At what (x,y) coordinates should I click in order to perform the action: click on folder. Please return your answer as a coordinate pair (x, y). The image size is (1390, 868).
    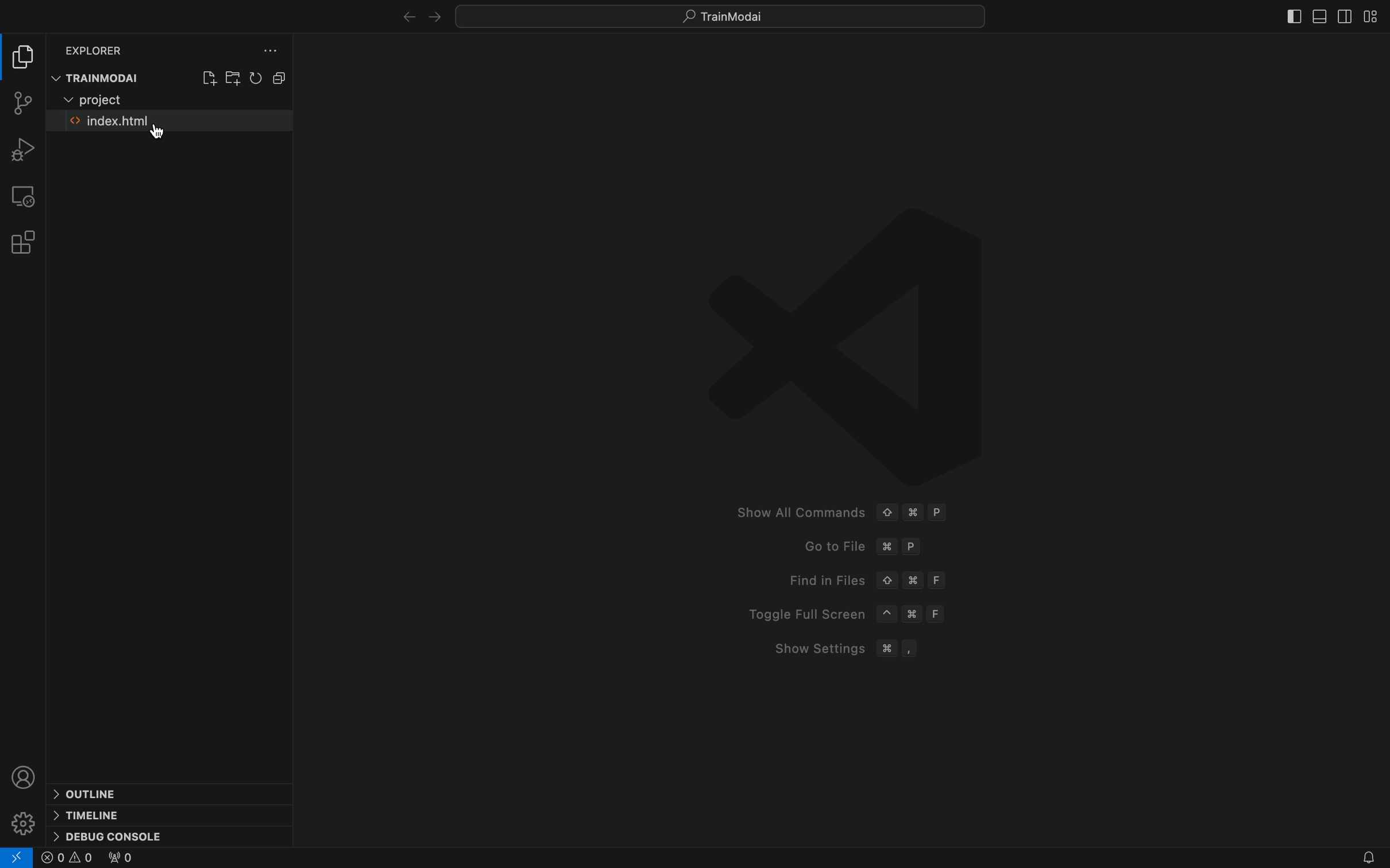
    Looking at the image, I should click on (106, 99).